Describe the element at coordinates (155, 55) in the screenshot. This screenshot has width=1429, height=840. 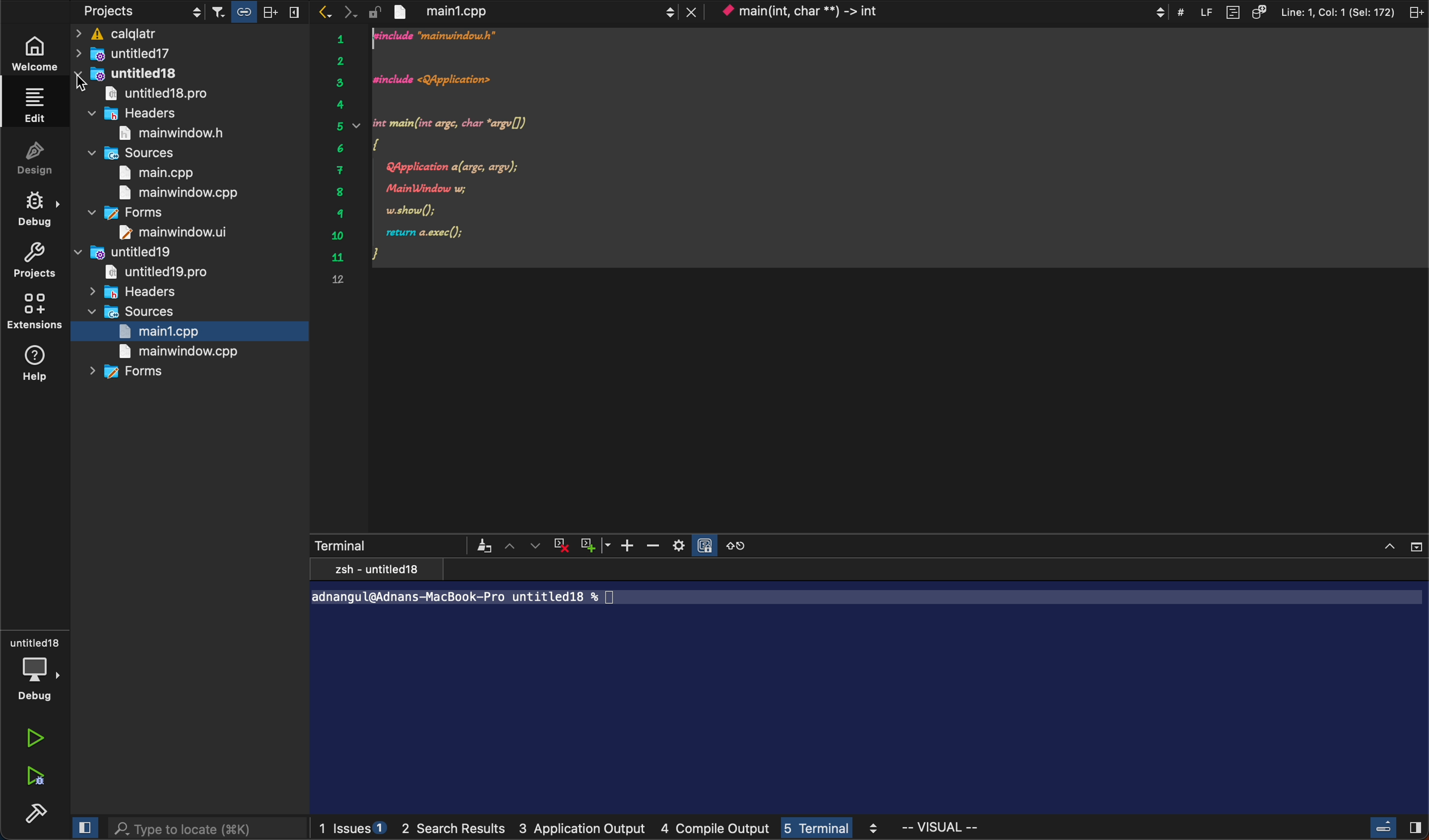
I see `untitled17` at that location.